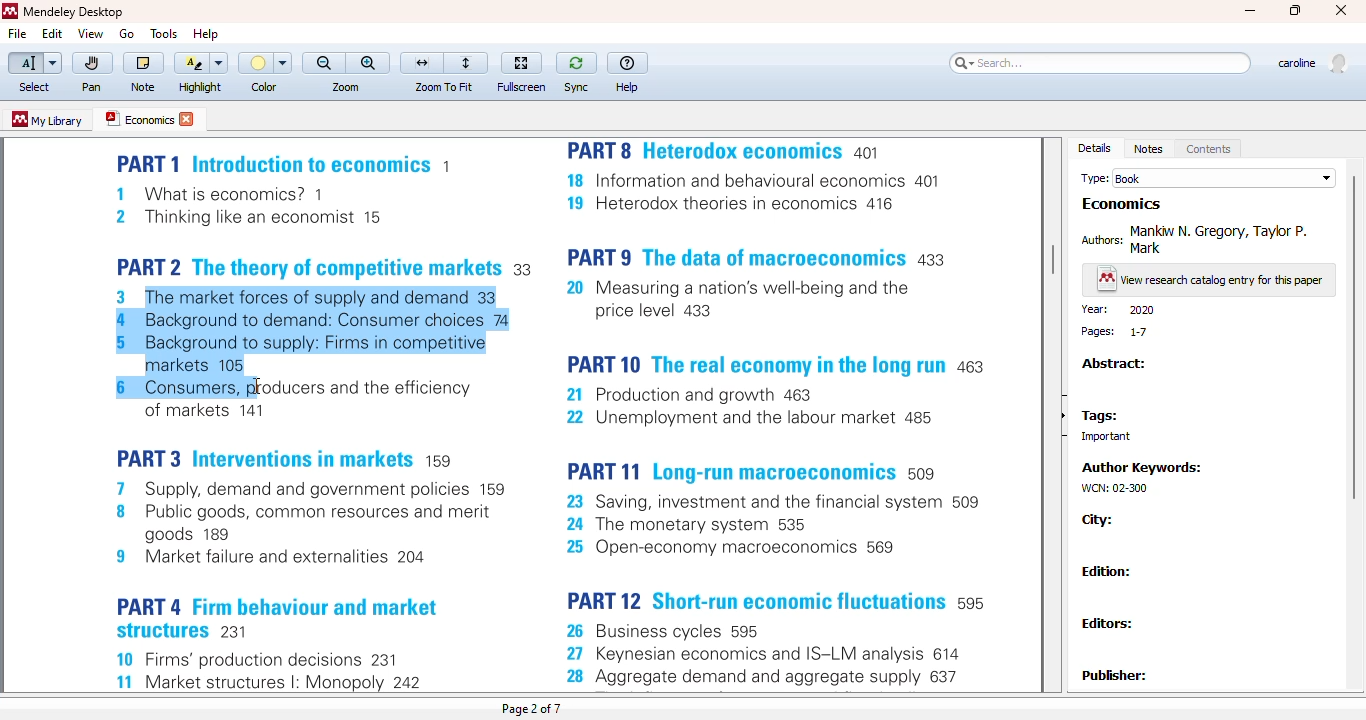 The image size is (1366, 720). What do you see at coordinates (201, 87) in the screenshot?
I see `highlight` at bounding box center [201, 87].